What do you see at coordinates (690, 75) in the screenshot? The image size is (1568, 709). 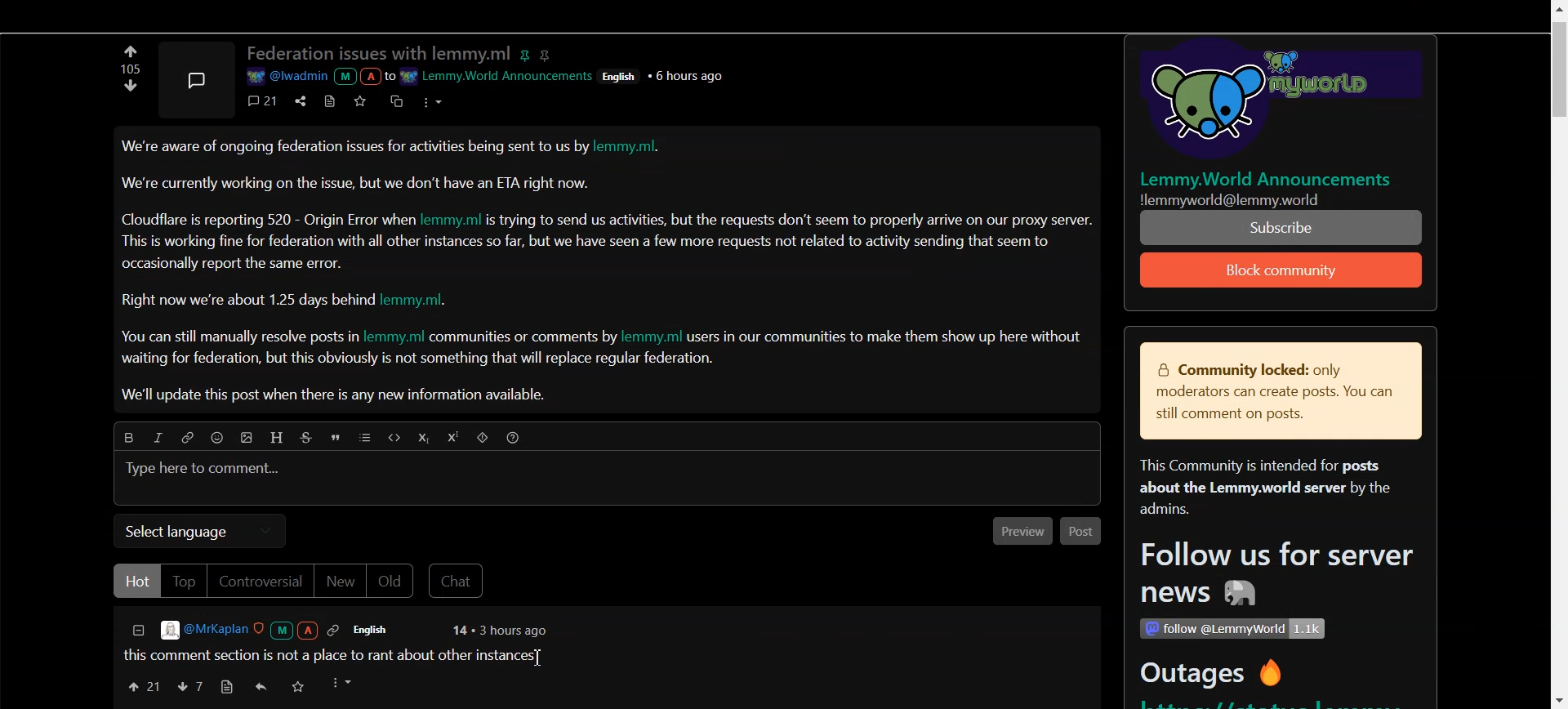 I see `` at bounding box center [690, 75].